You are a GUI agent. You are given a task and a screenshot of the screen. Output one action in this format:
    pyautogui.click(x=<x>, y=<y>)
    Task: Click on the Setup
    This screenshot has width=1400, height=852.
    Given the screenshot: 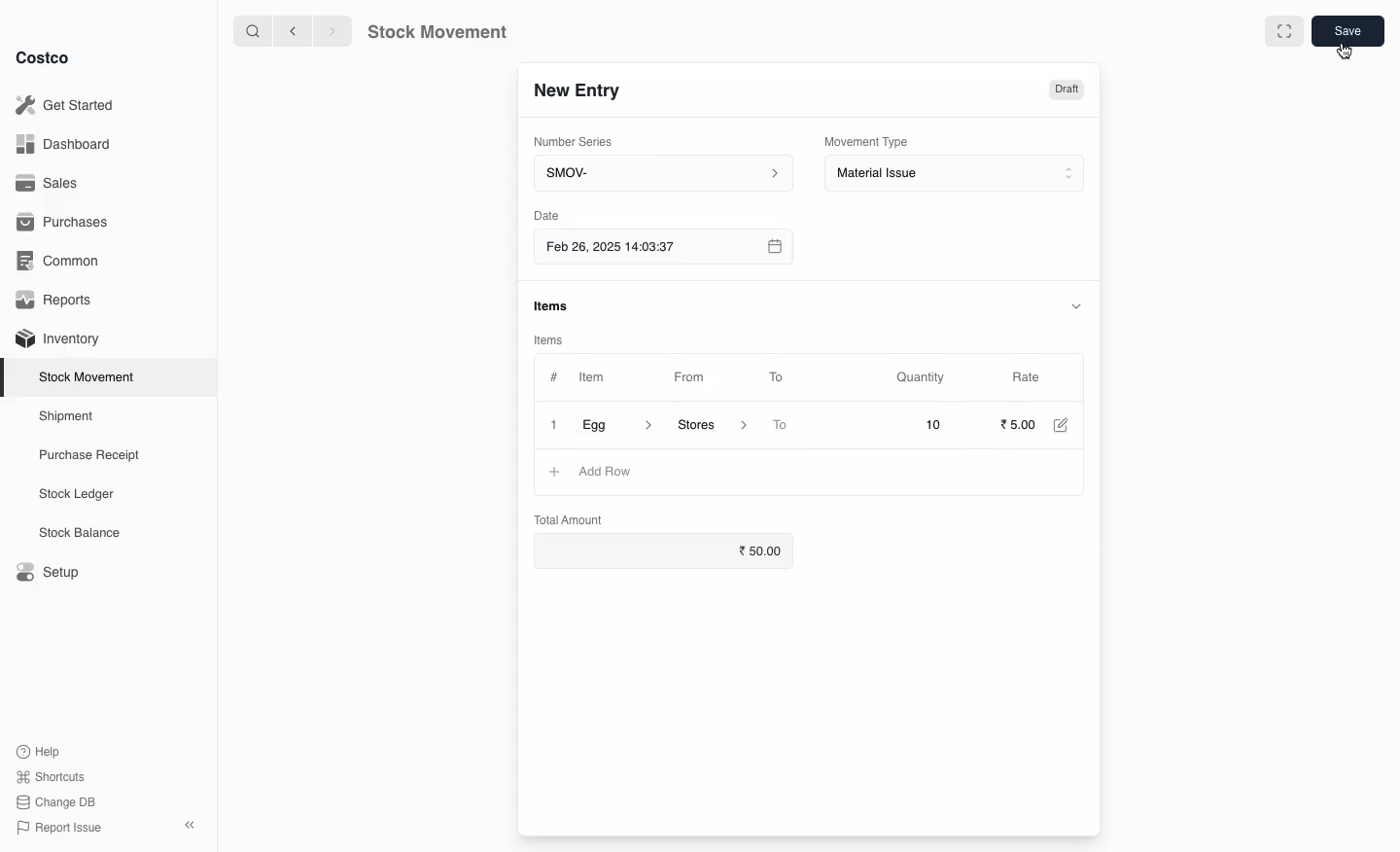 What is the action you would take?
    pyautogui.click(x=46, y=570)
    